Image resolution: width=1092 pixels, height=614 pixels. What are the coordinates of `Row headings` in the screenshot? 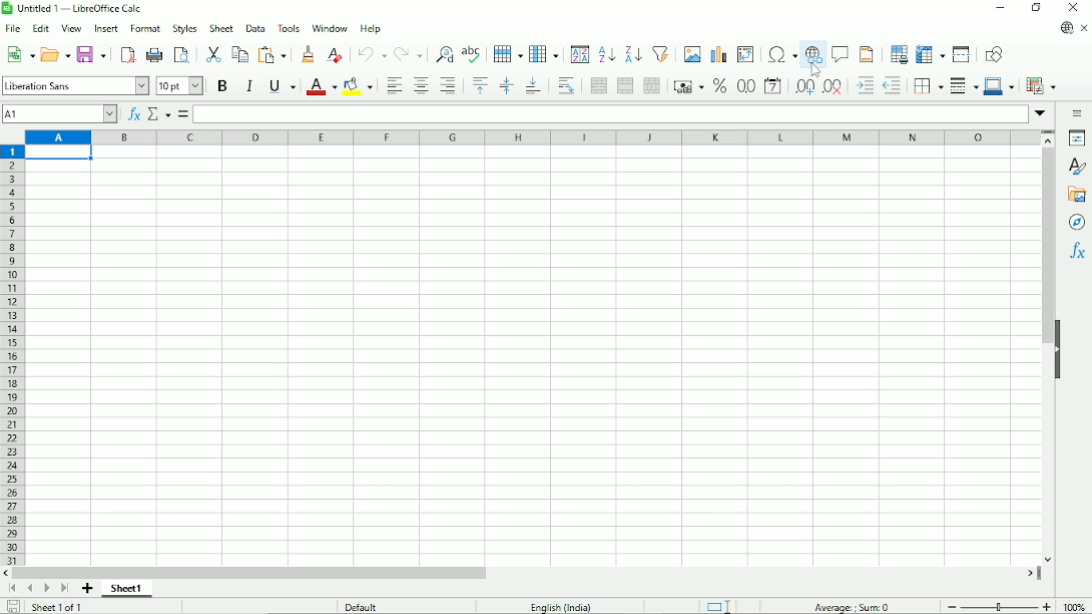 It's located at (12, 355).